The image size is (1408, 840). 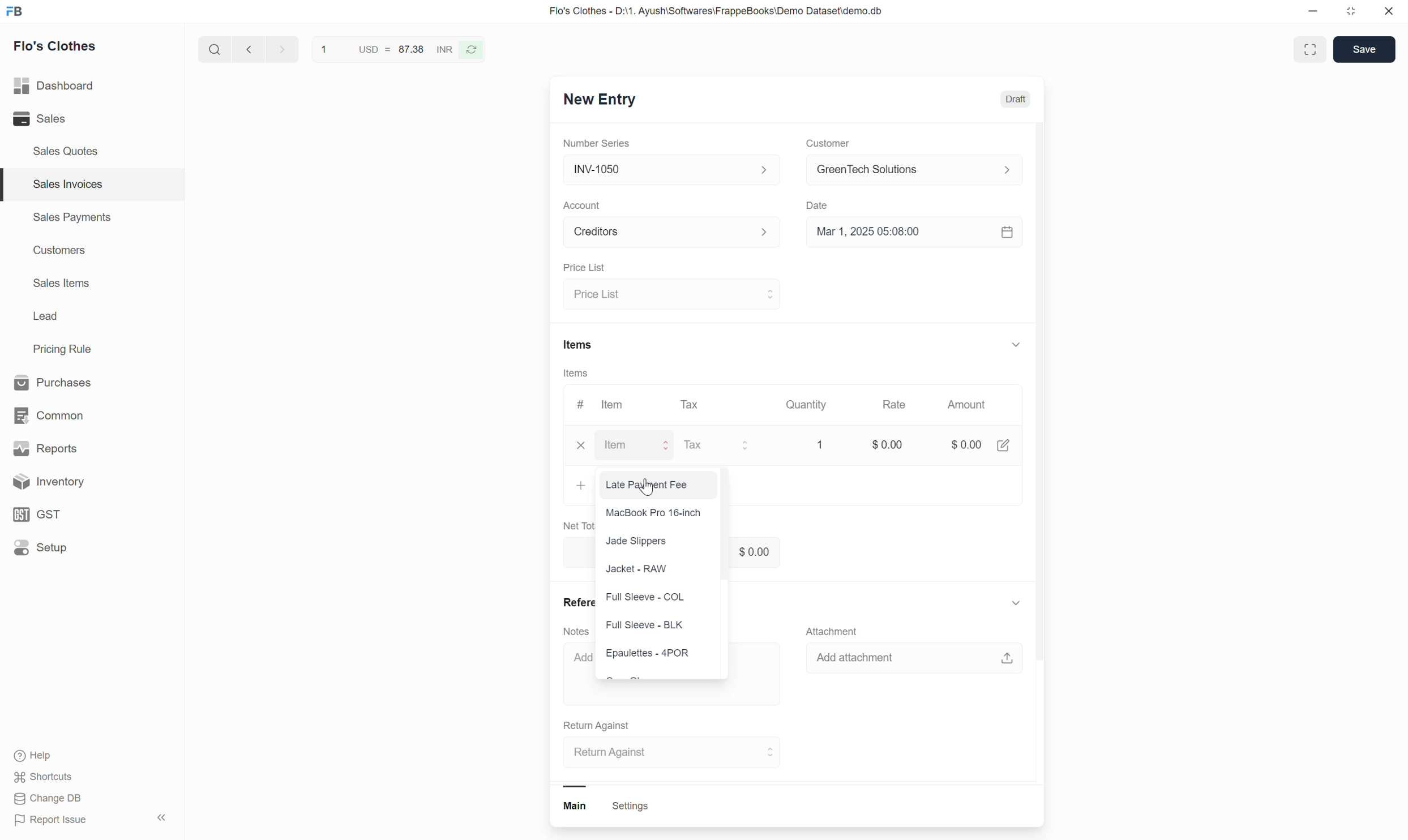 What do you see at coordinates (691, 408) in the screenshot?
I see `Tax` at bounding box center [691, 408].